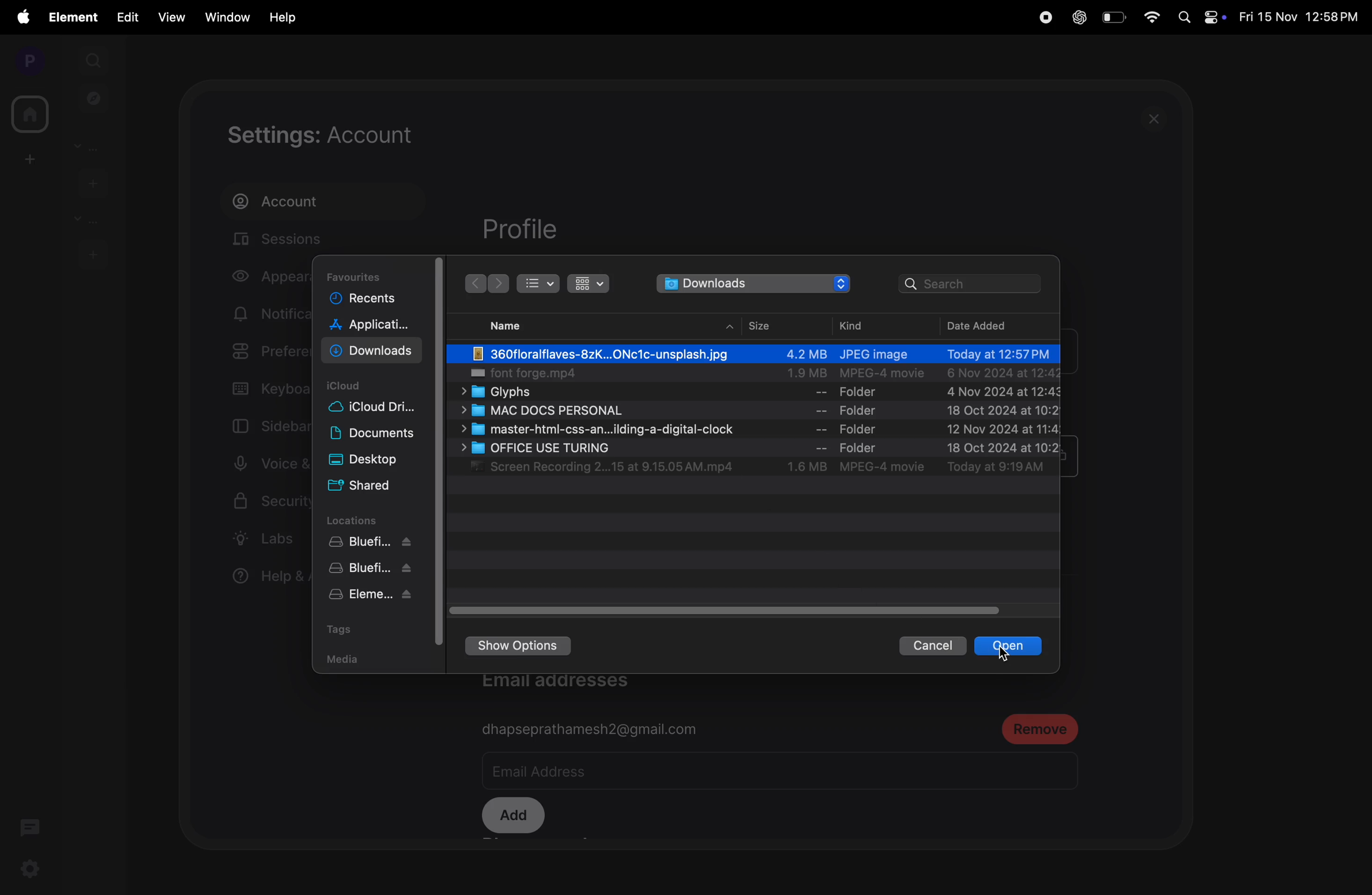 This screenshot has height=895, width=1372. I want to click on add people, so click(91, 182).